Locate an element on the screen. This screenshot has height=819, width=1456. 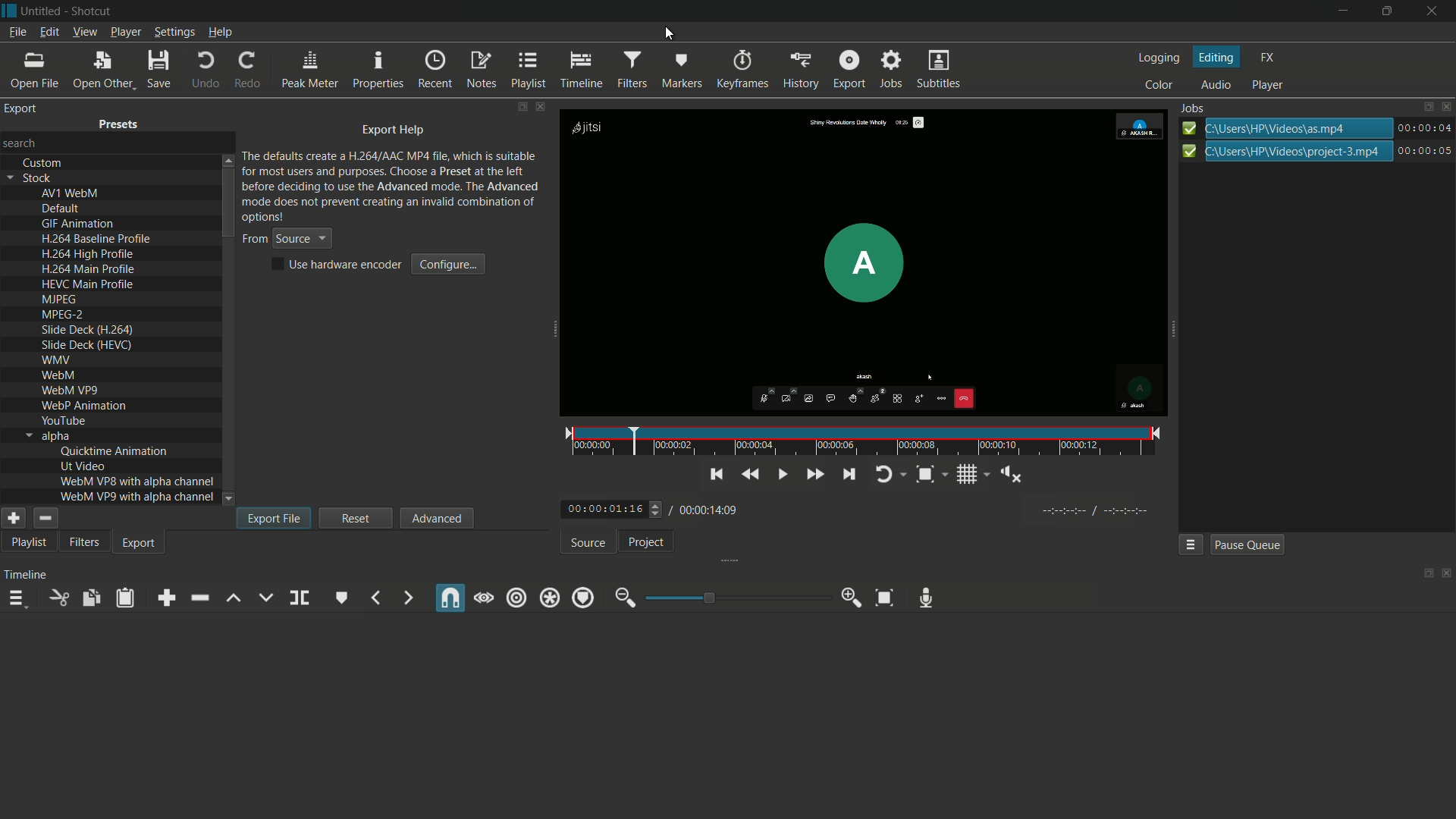
zoom in is located at coordinates (853, 598).